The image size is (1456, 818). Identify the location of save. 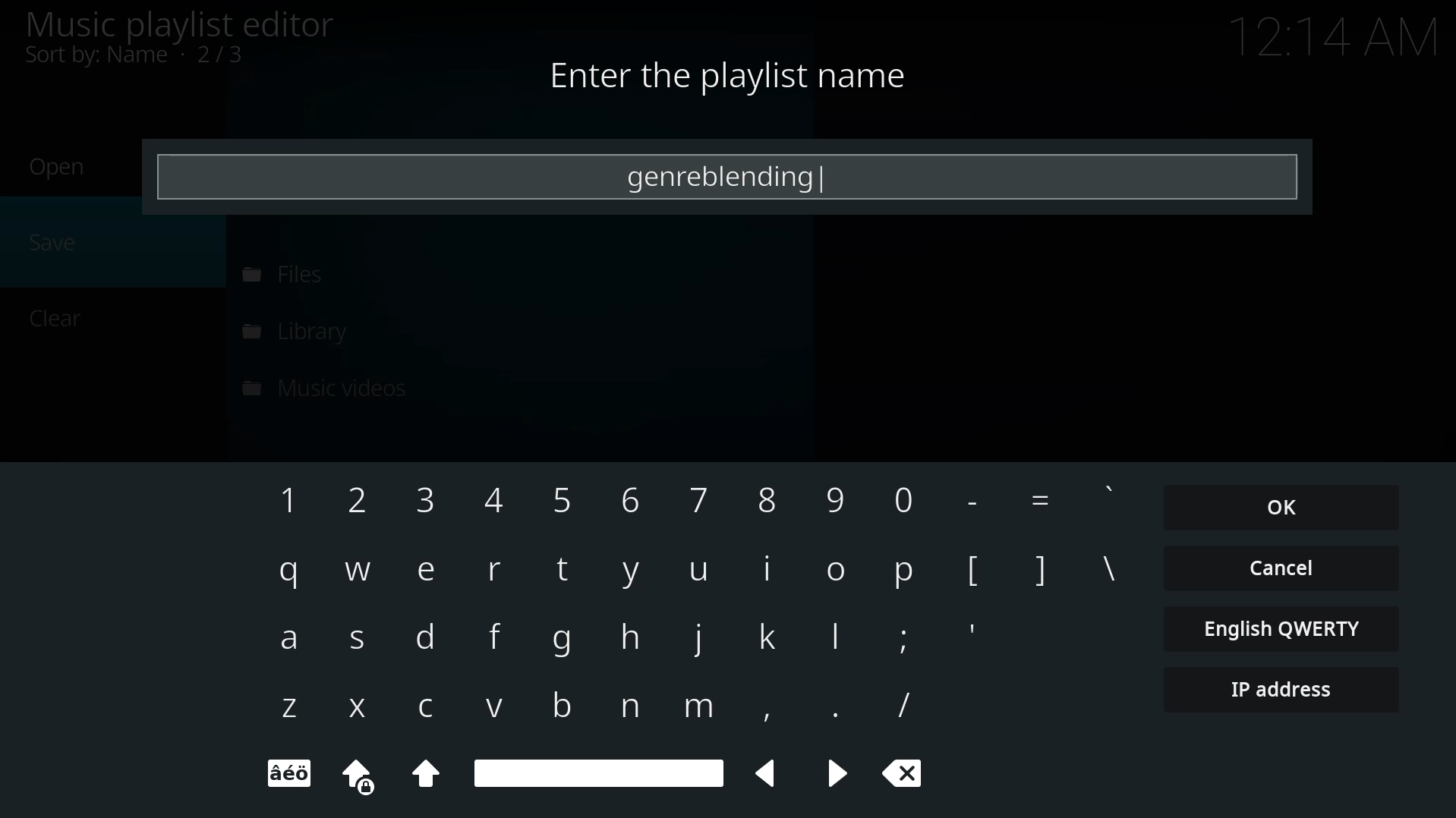
(57, 240).